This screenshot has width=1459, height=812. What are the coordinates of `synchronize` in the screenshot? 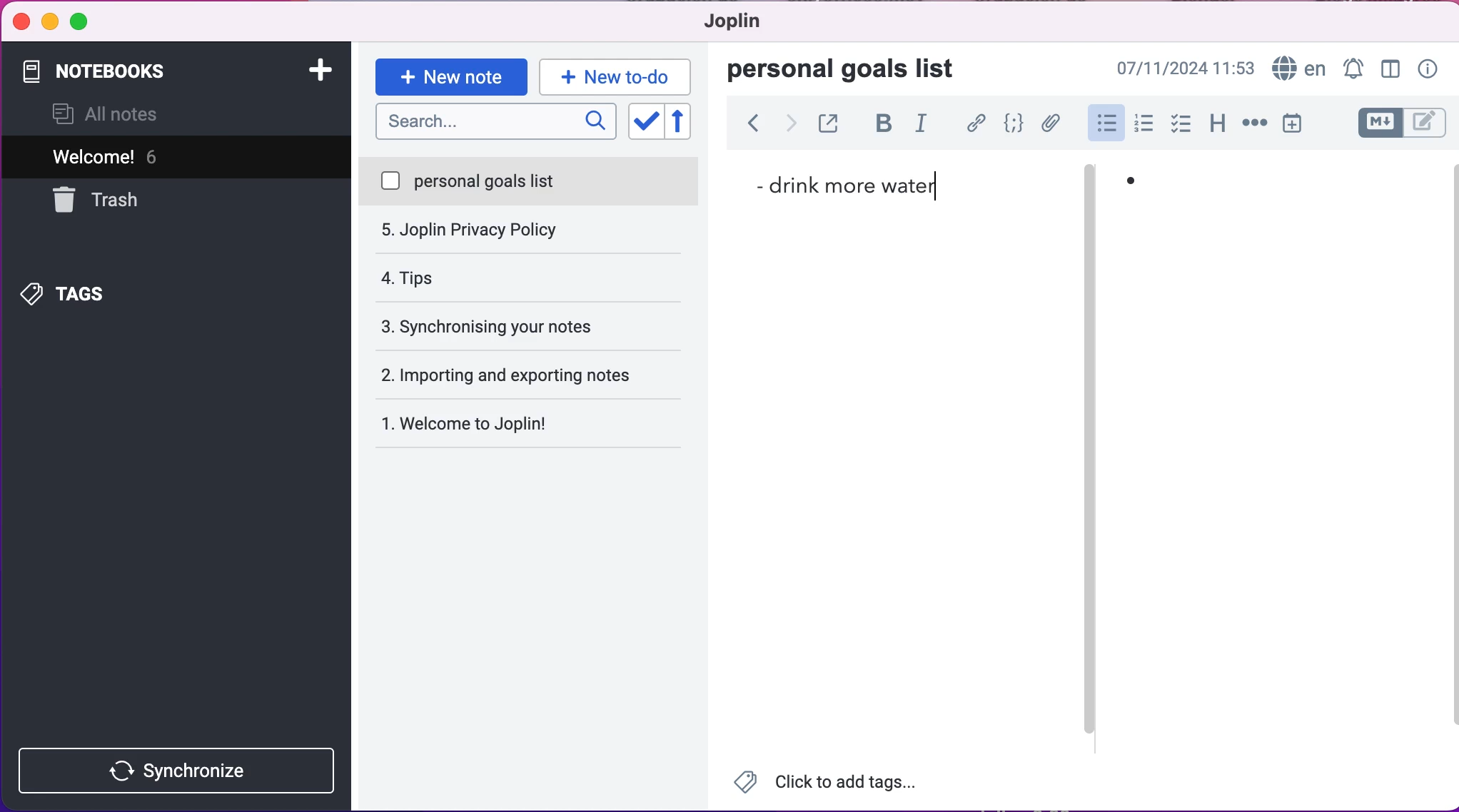 It's located at (181, 770).